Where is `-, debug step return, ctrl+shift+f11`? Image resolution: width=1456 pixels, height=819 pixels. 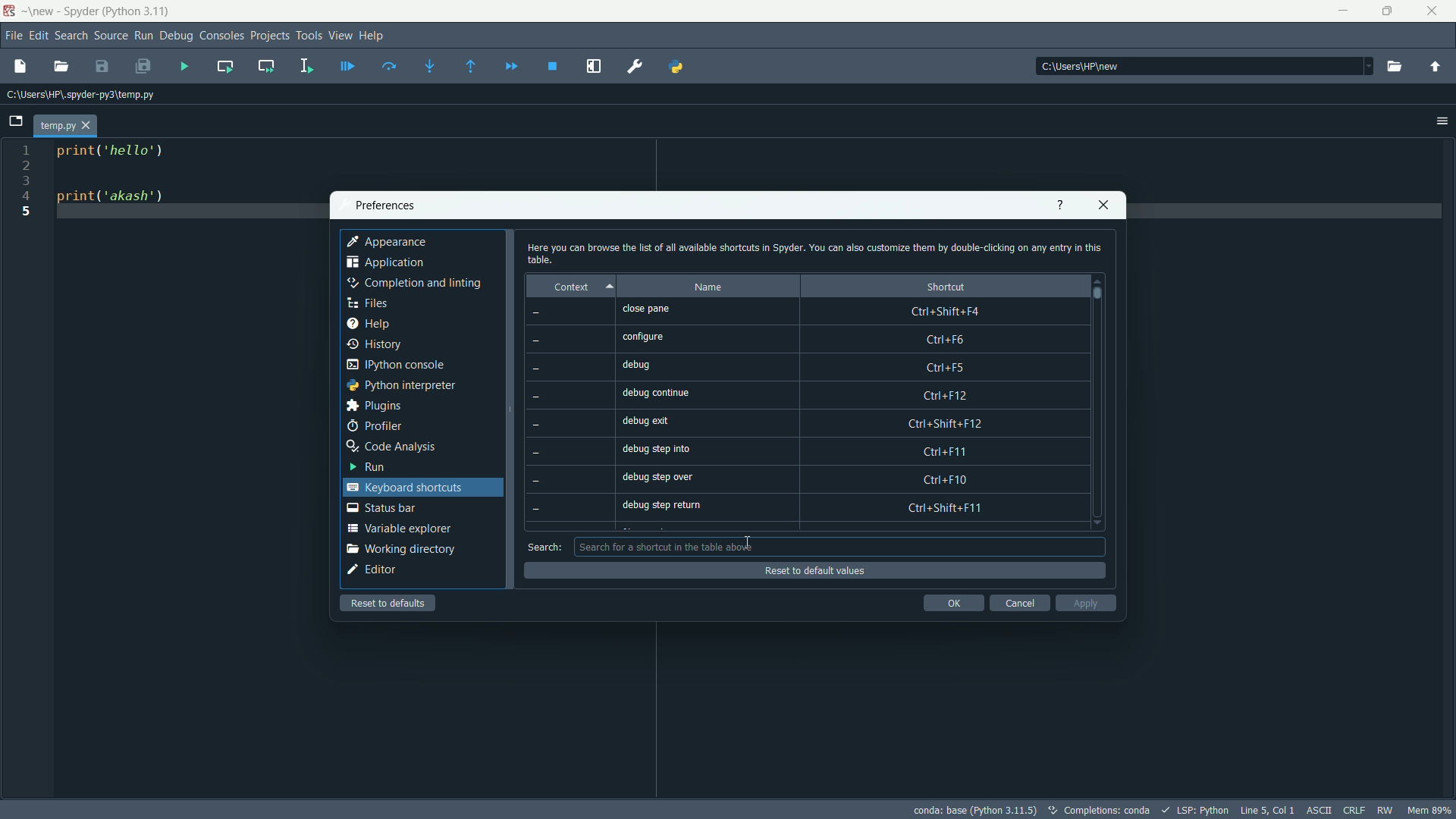
-, debug step return, ctrl+shift+f11 is located at coordinates (802, 508).